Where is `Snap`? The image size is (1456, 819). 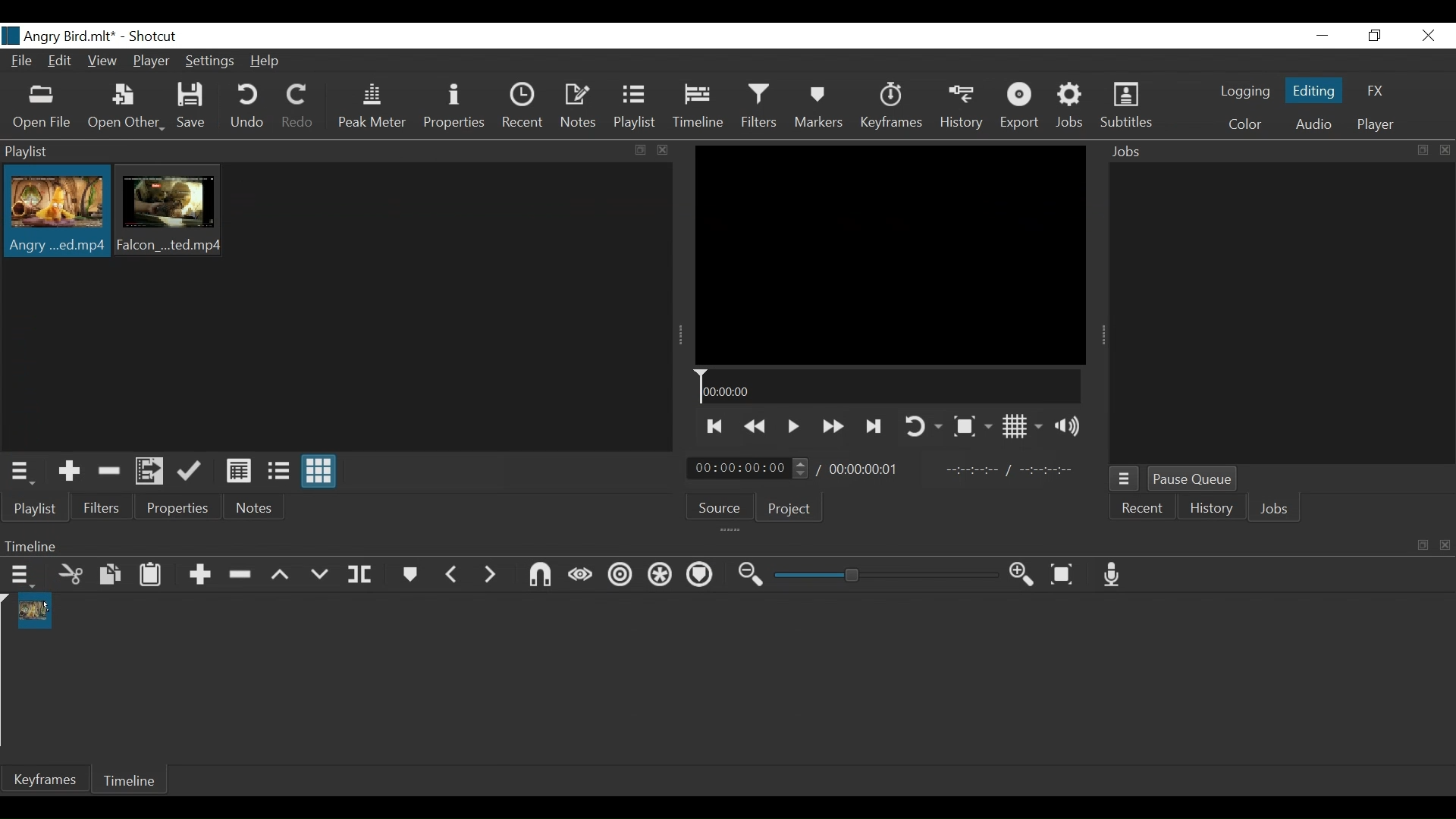 Snap is located at coordinates (541, 576).